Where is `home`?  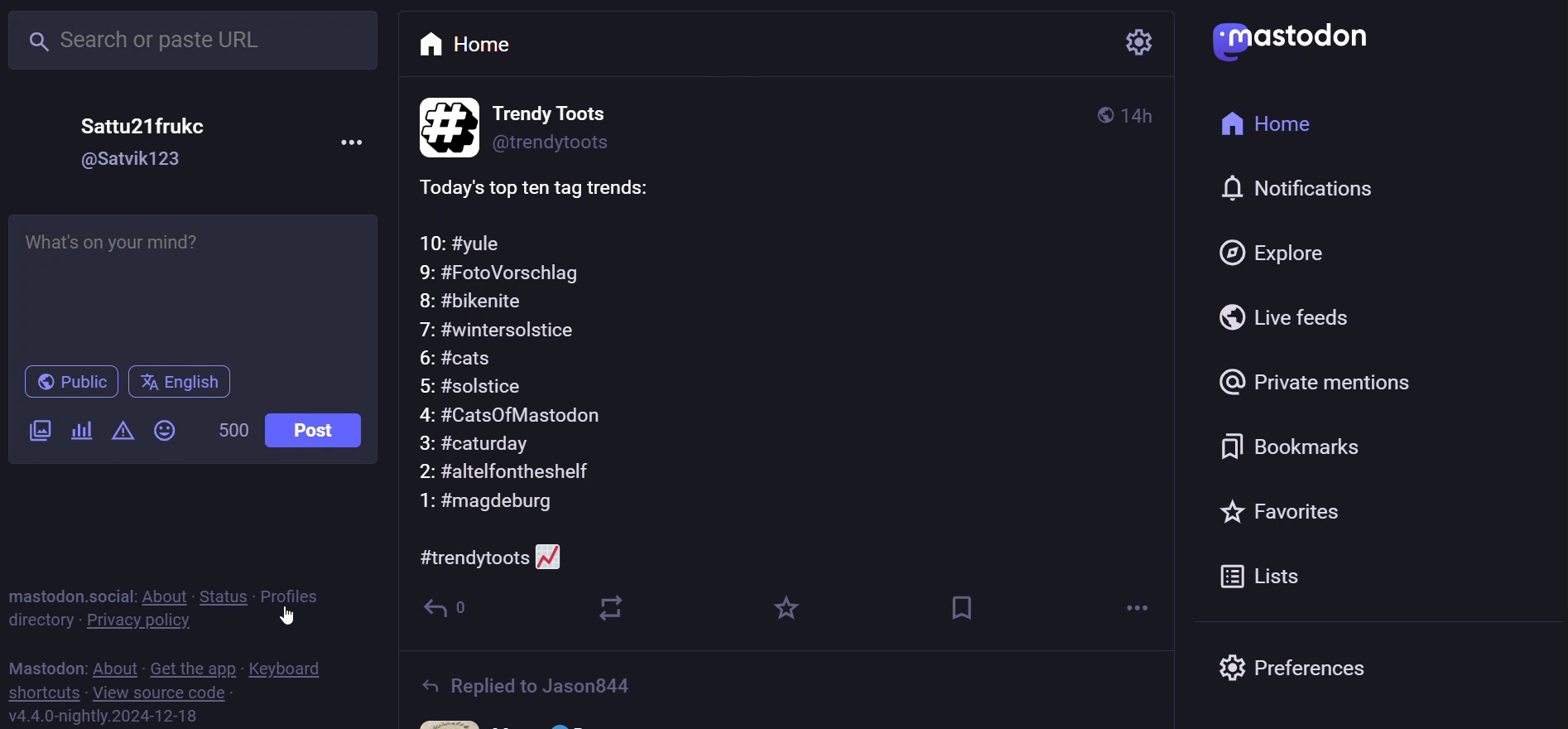
home is located at coordinates (1275, 120).